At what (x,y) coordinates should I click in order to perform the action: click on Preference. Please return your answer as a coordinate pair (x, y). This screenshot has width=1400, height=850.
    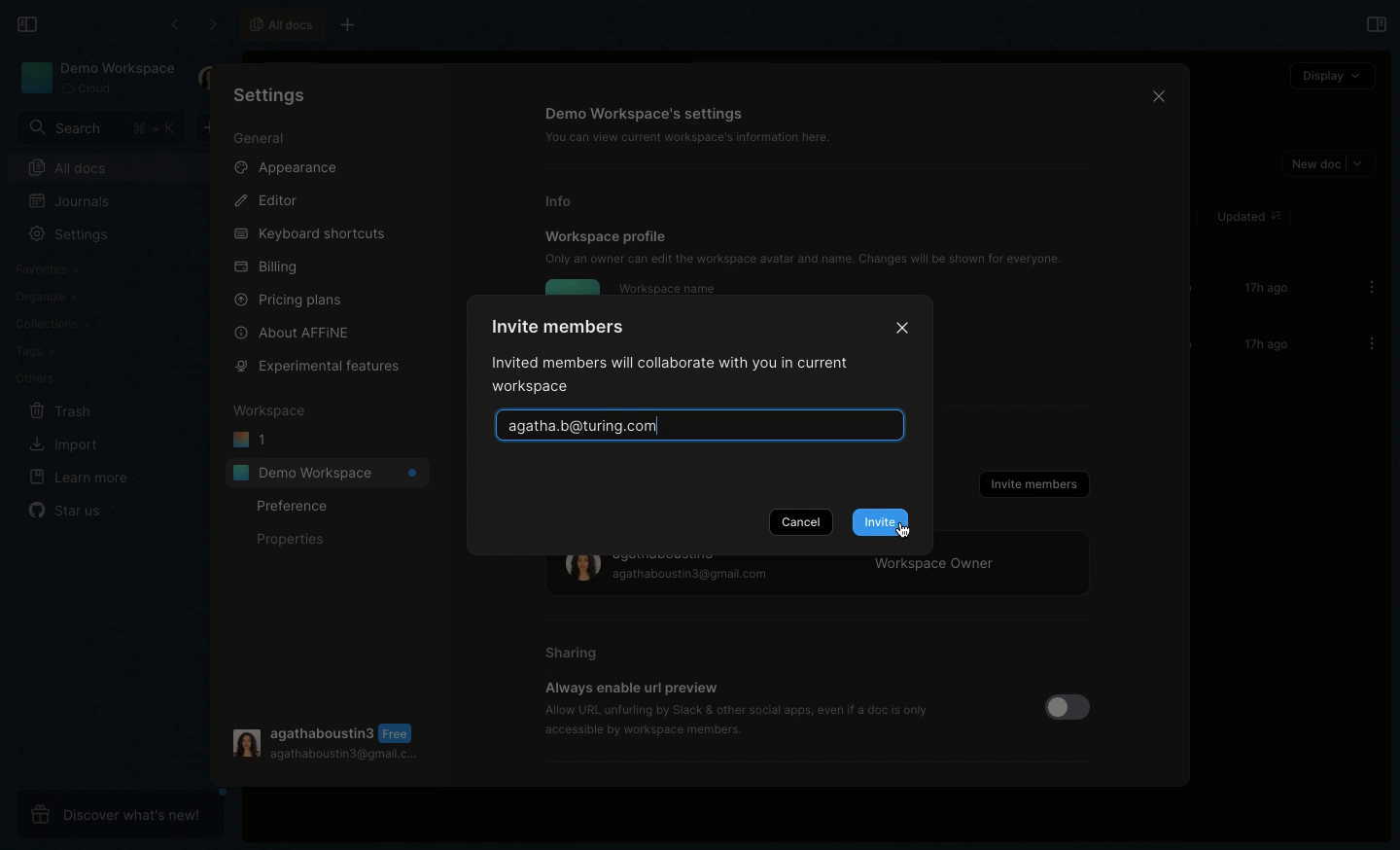
    Looking at the image, I should click on (295, 507).